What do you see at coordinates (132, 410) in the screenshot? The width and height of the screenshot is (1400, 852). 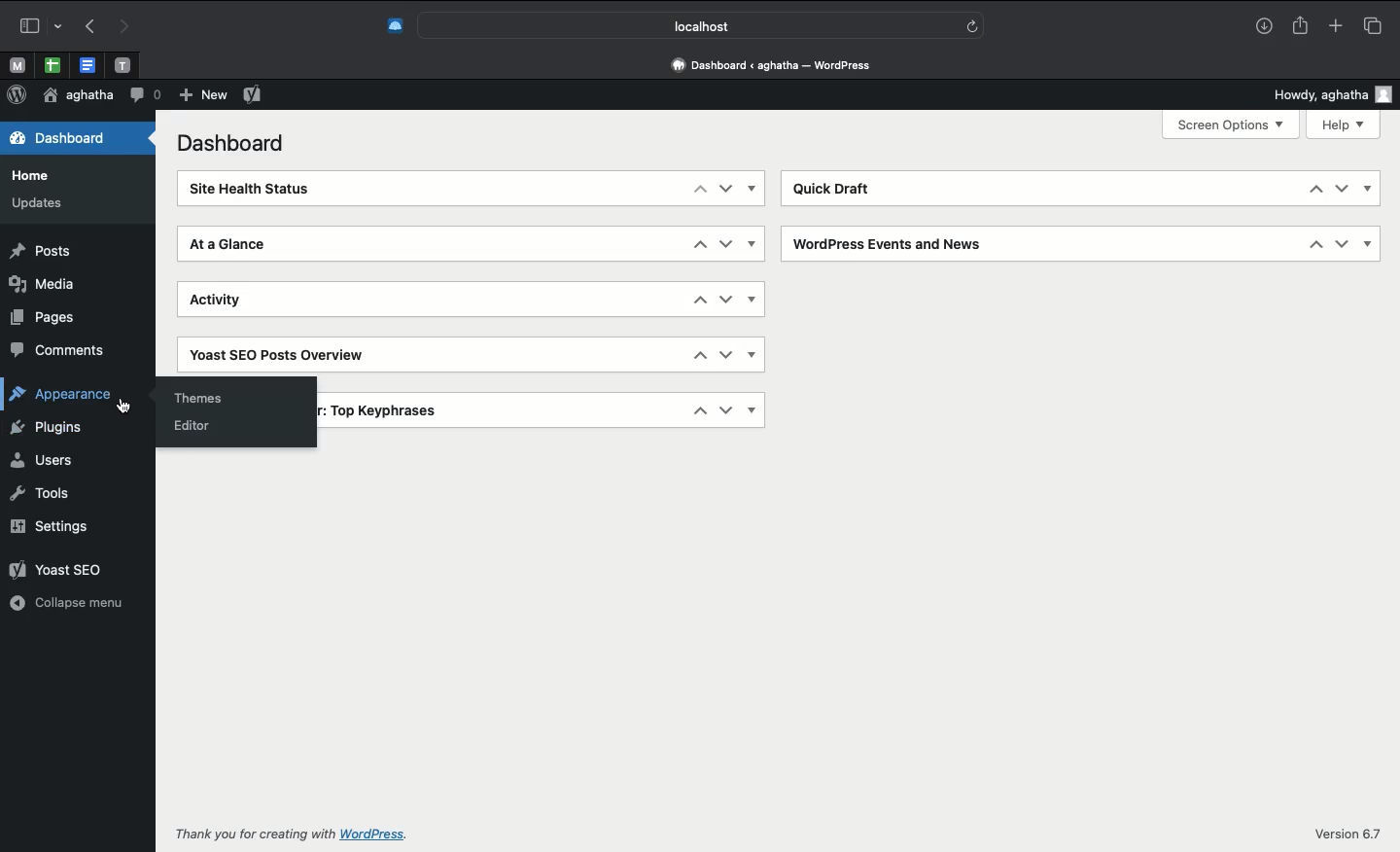 I see `cursor` at bounding box center [132, 410].